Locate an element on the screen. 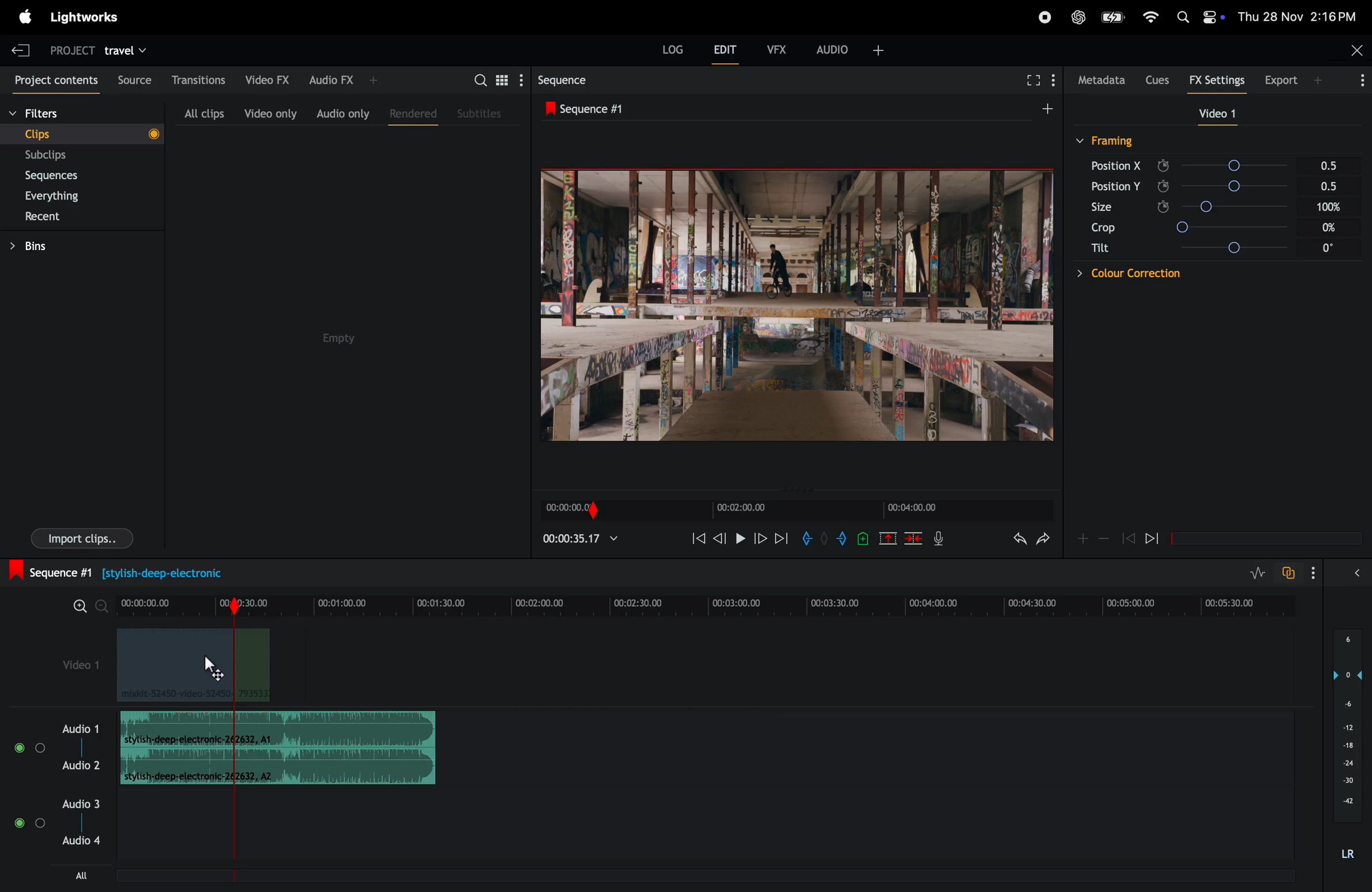  audio track is located at coordinates (285, 747).